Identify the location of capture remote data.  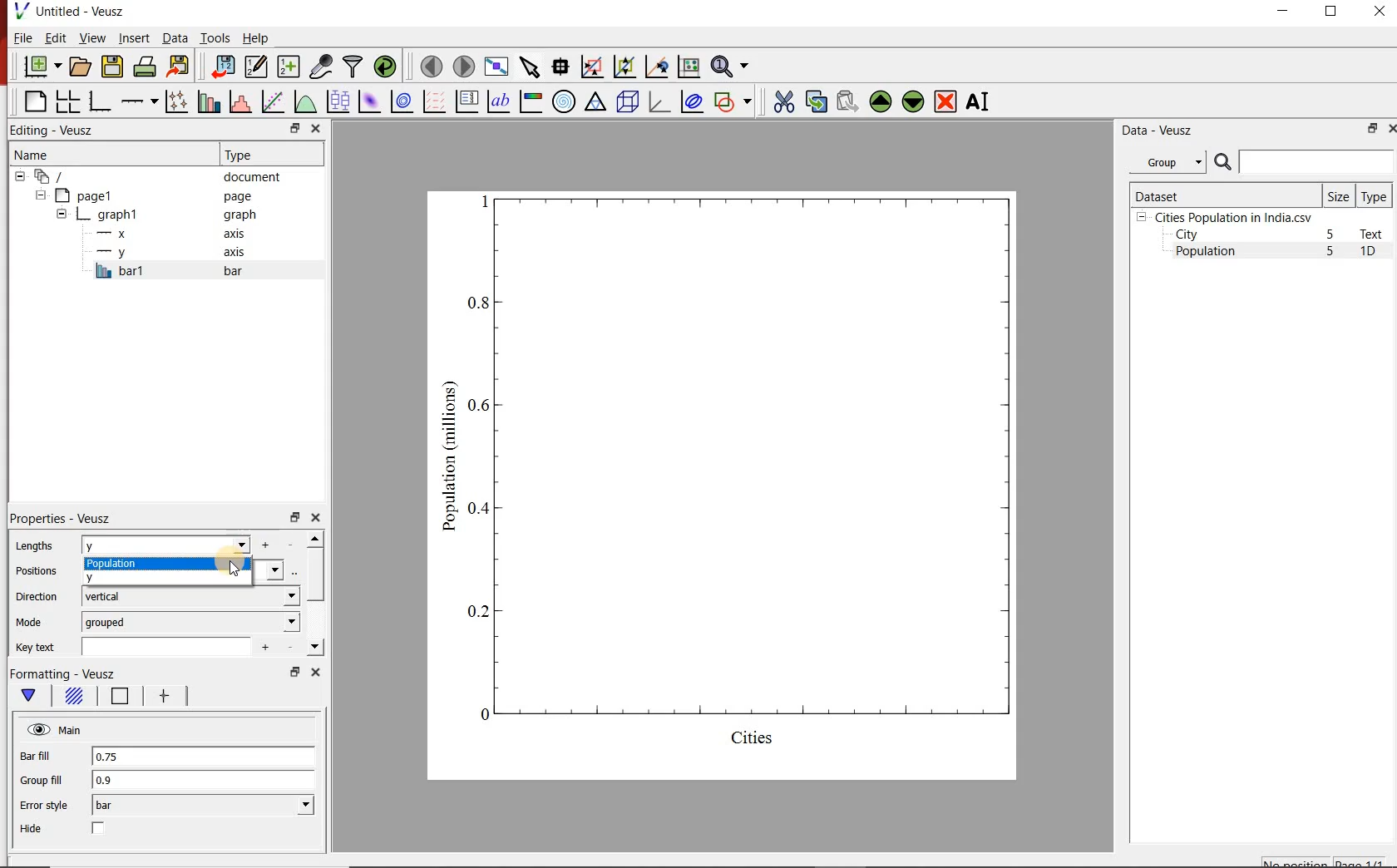
(319, 67).